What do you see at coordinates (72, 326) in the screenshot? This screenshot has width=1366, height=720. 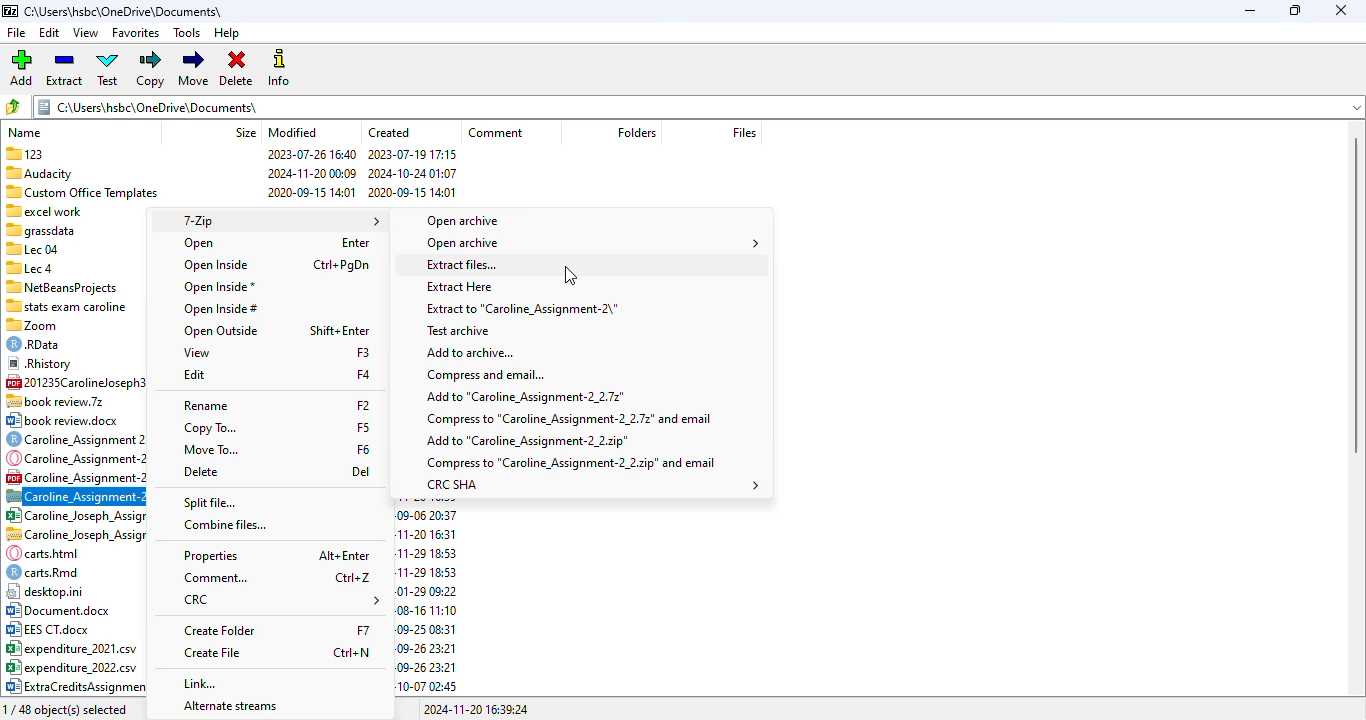 I see `208 Zoom 2022-01-20 10:44 2020-10-02 00:42` at bounding box center [72, 326].